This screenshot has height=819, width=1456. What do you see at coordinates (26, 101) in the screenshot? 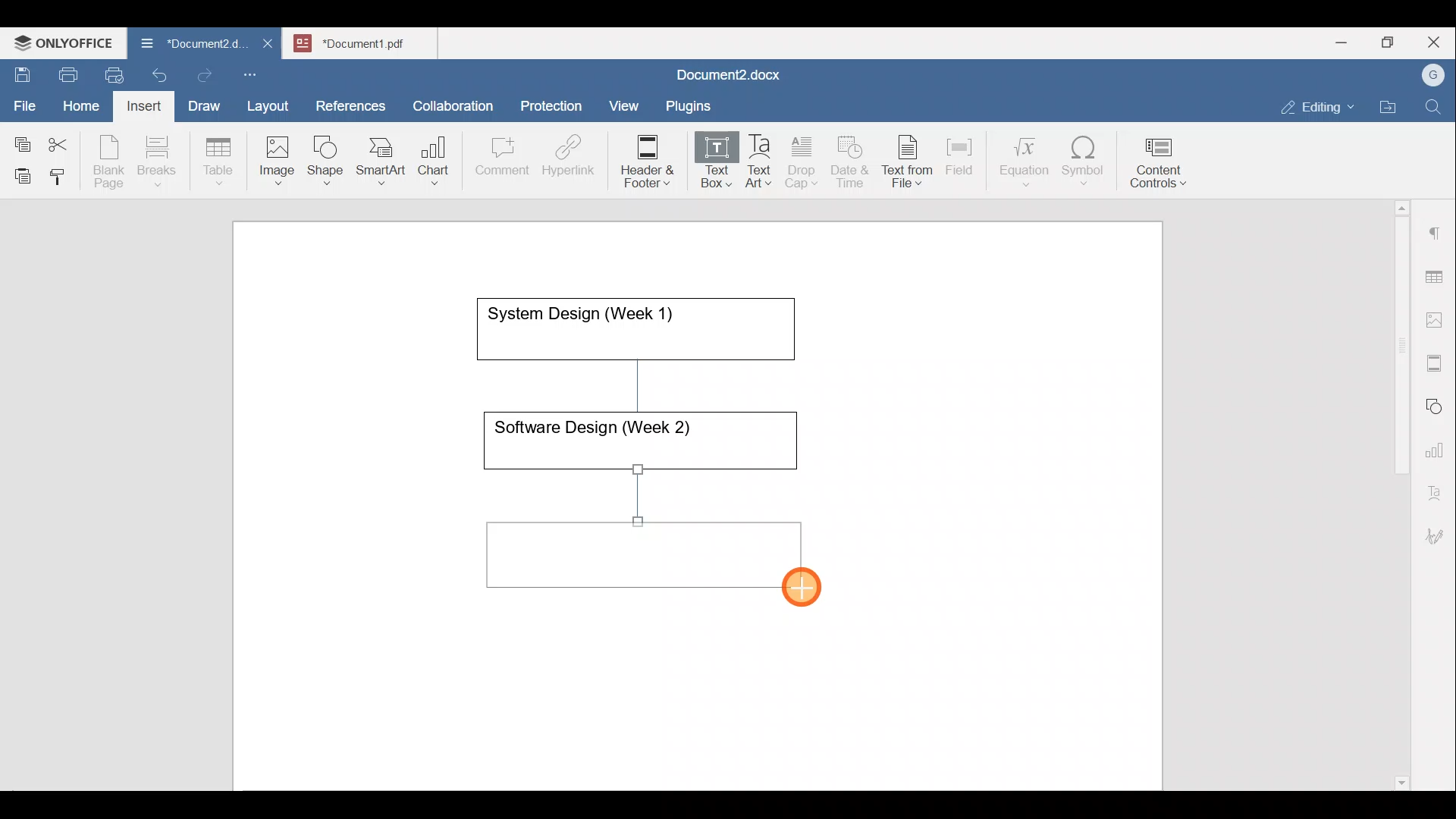
I see `File` at bounding box center [26, 101].